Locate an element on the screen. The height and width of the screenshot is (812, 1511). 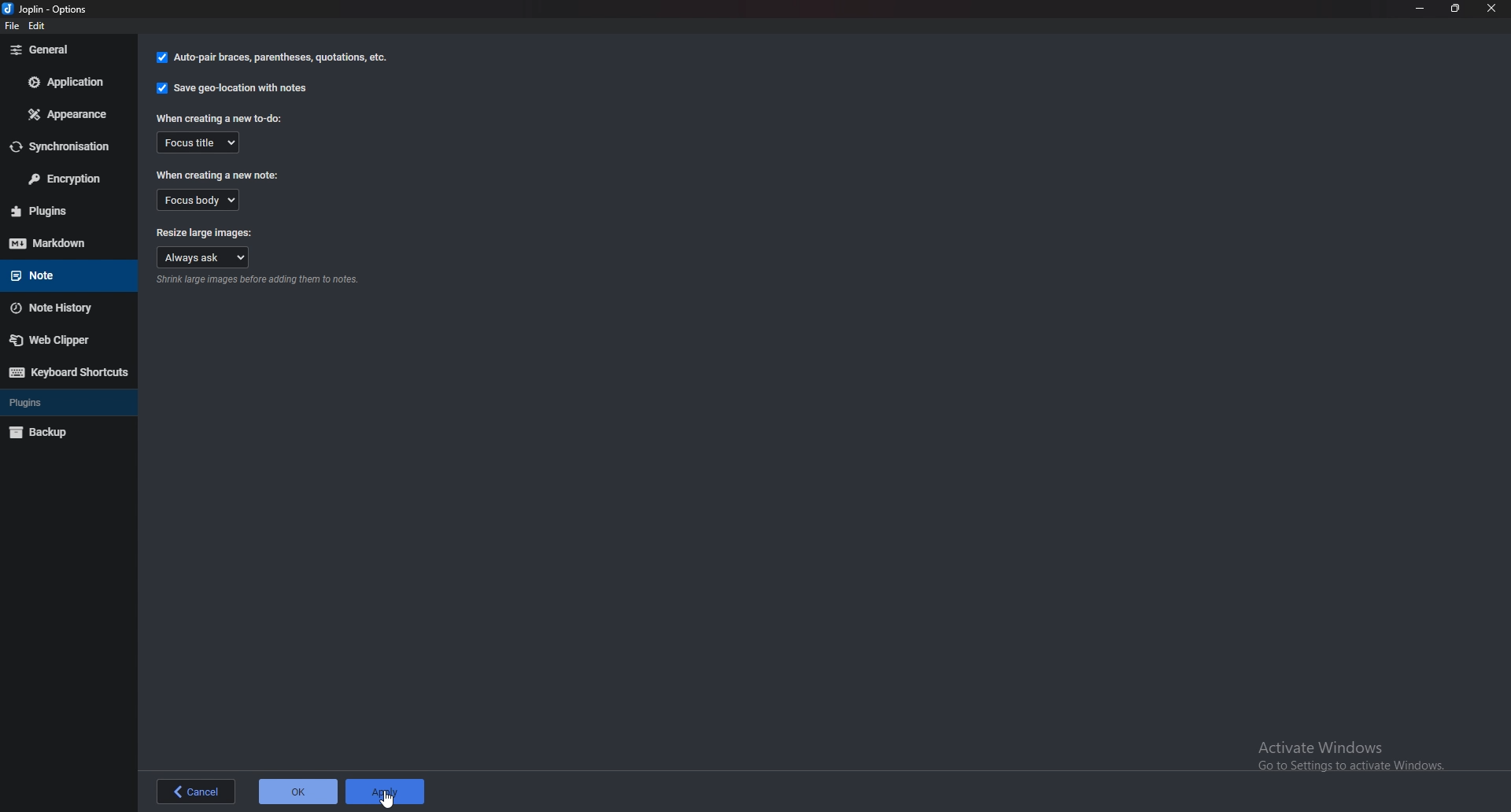
Web Clipper is located at coordinates (64, 341).